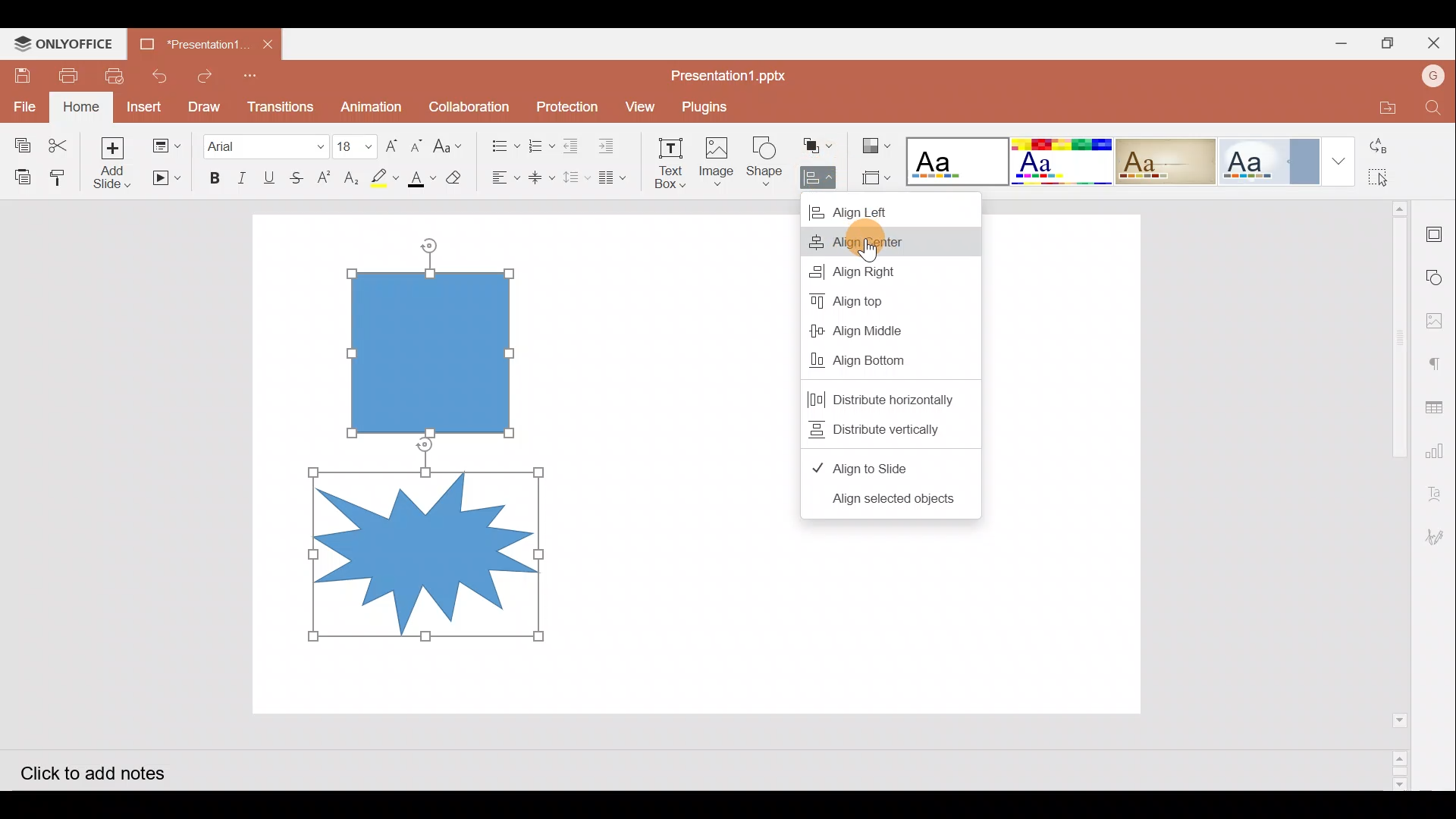  Describe the element at coordinates (24, 71) in the screenshot. I see `Save` at that location.